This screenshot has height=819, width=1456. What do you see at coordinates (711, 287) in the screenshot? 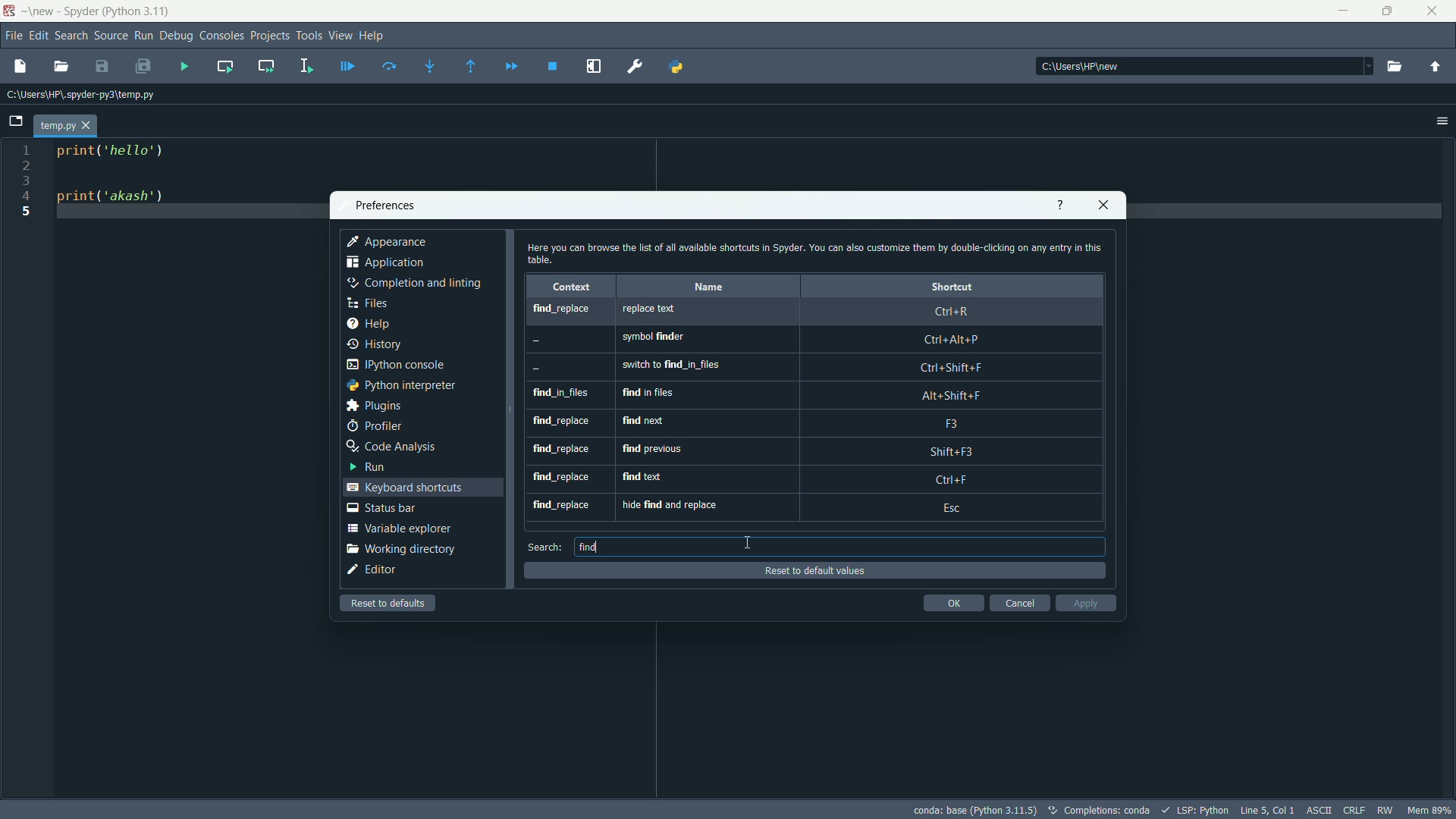
I see `name` at bounding box center [711, 287].